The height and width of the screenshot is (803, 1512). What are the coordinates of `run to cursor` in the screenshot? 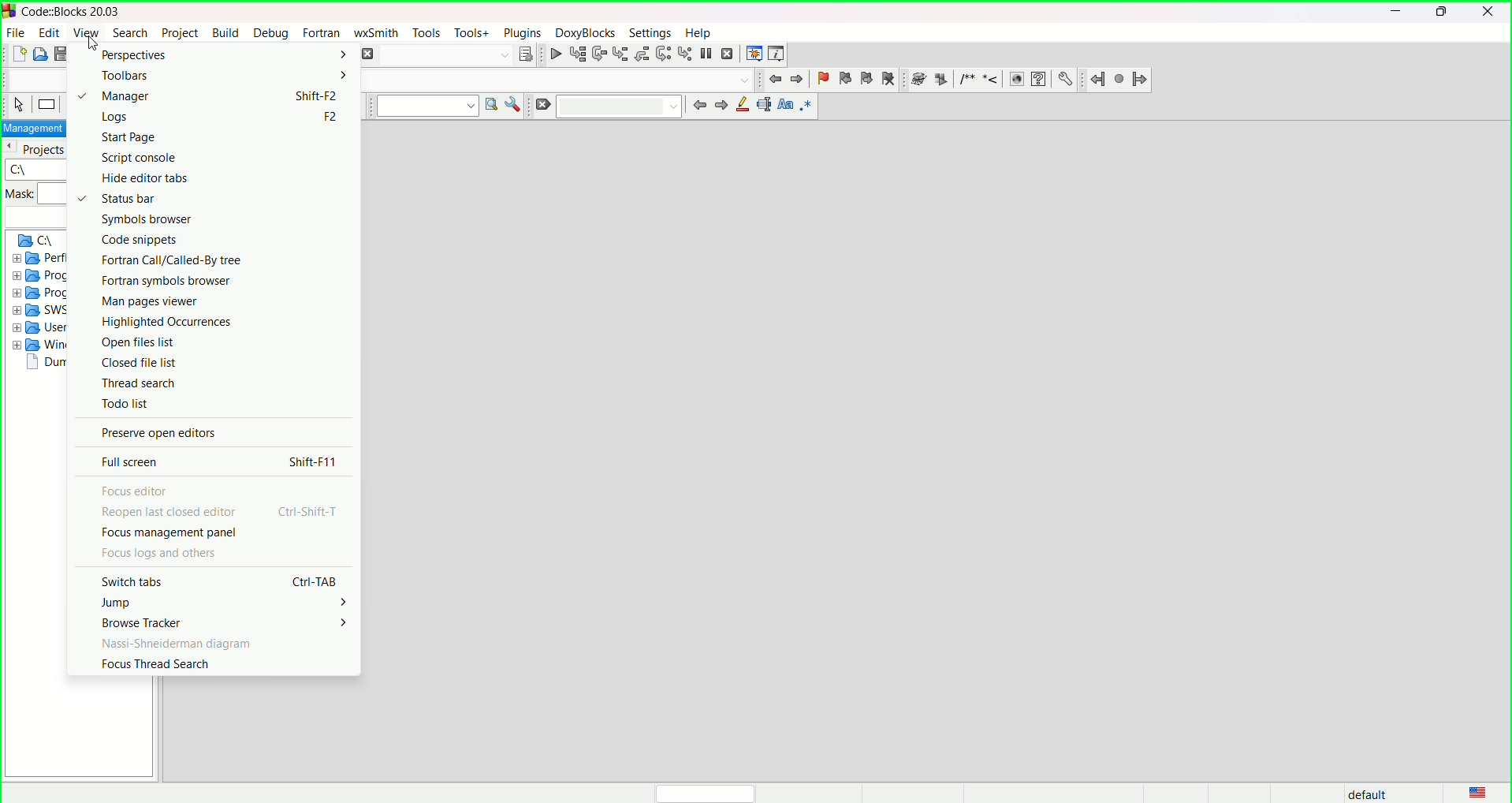 It's located at (579, 54).